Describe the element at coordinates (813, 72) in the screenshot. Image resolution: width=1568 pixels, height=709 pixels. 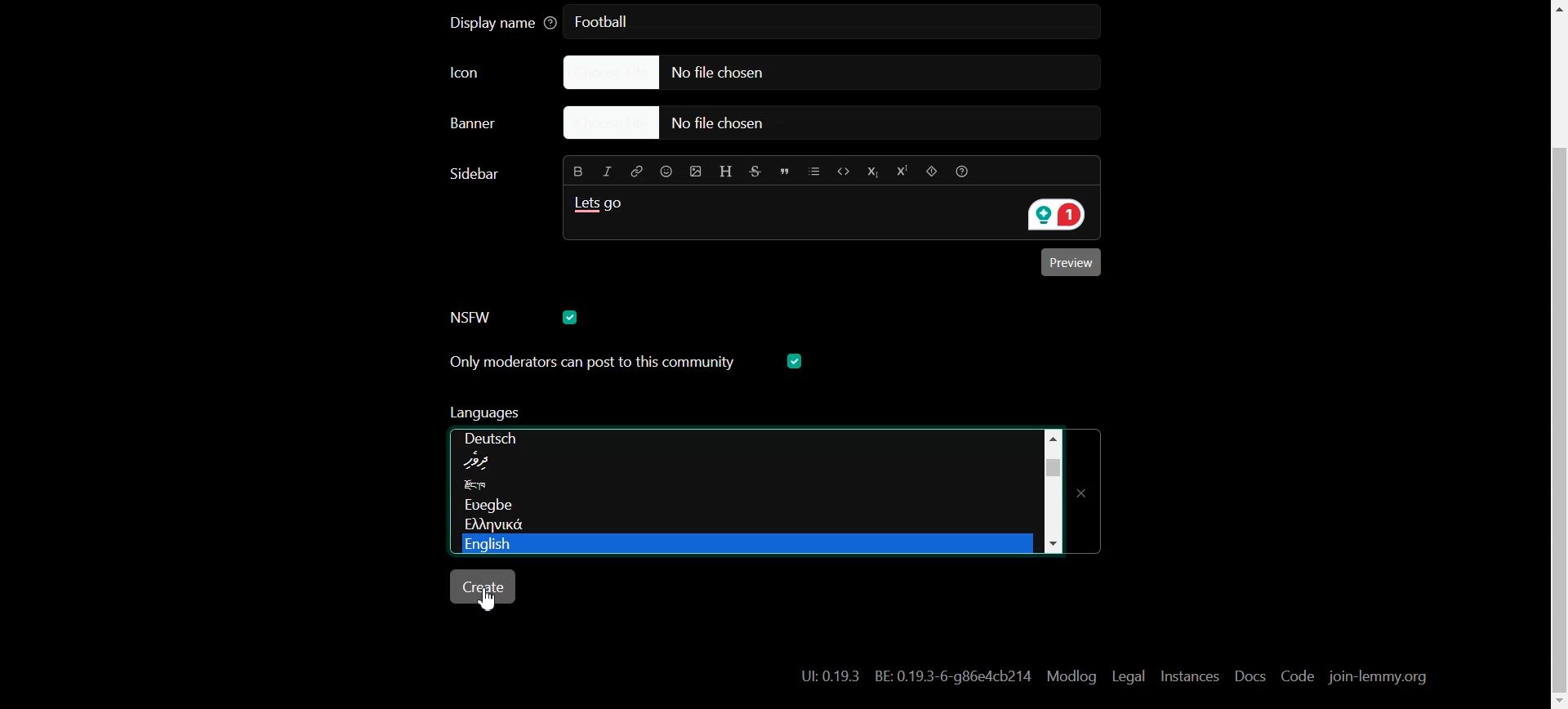
I see `Choose file` at that location.